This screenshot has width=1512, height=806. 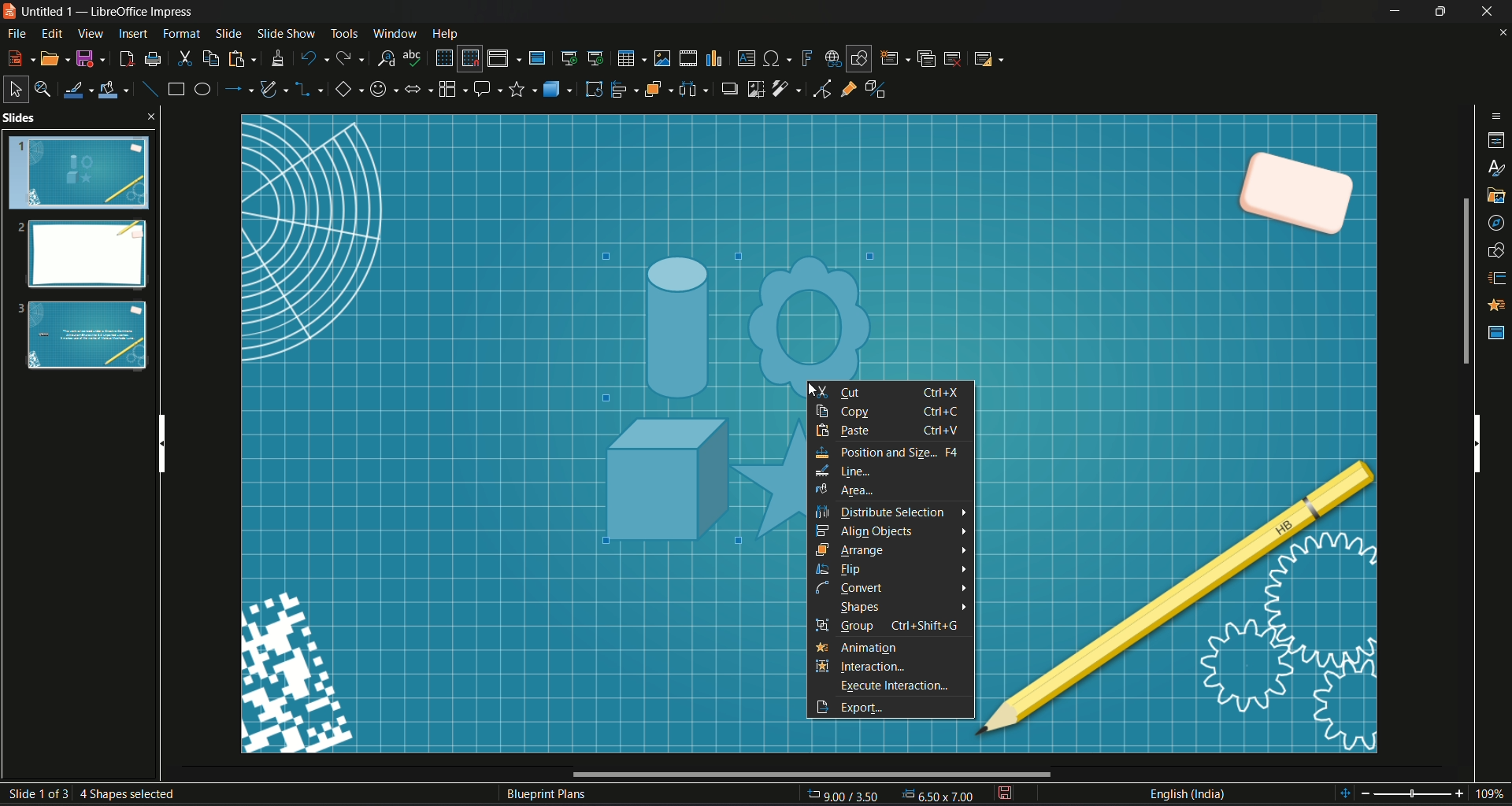 What do you see at coordinates (277, 58) in the screenshot?
I see `clone formatting` at bounding box center [277, 58].